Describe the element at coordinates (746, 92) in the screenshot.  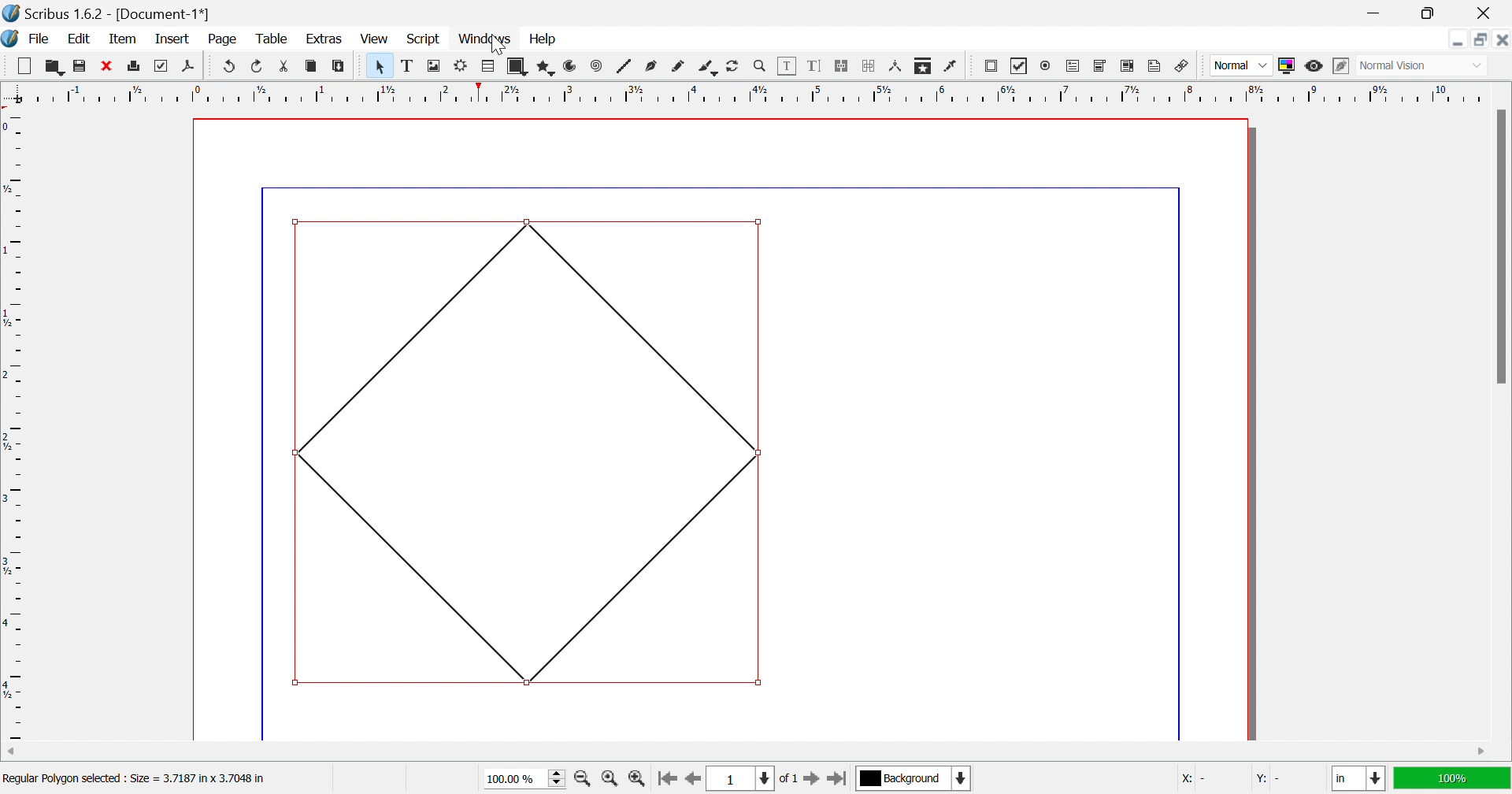
I see `Ruler` at that location.